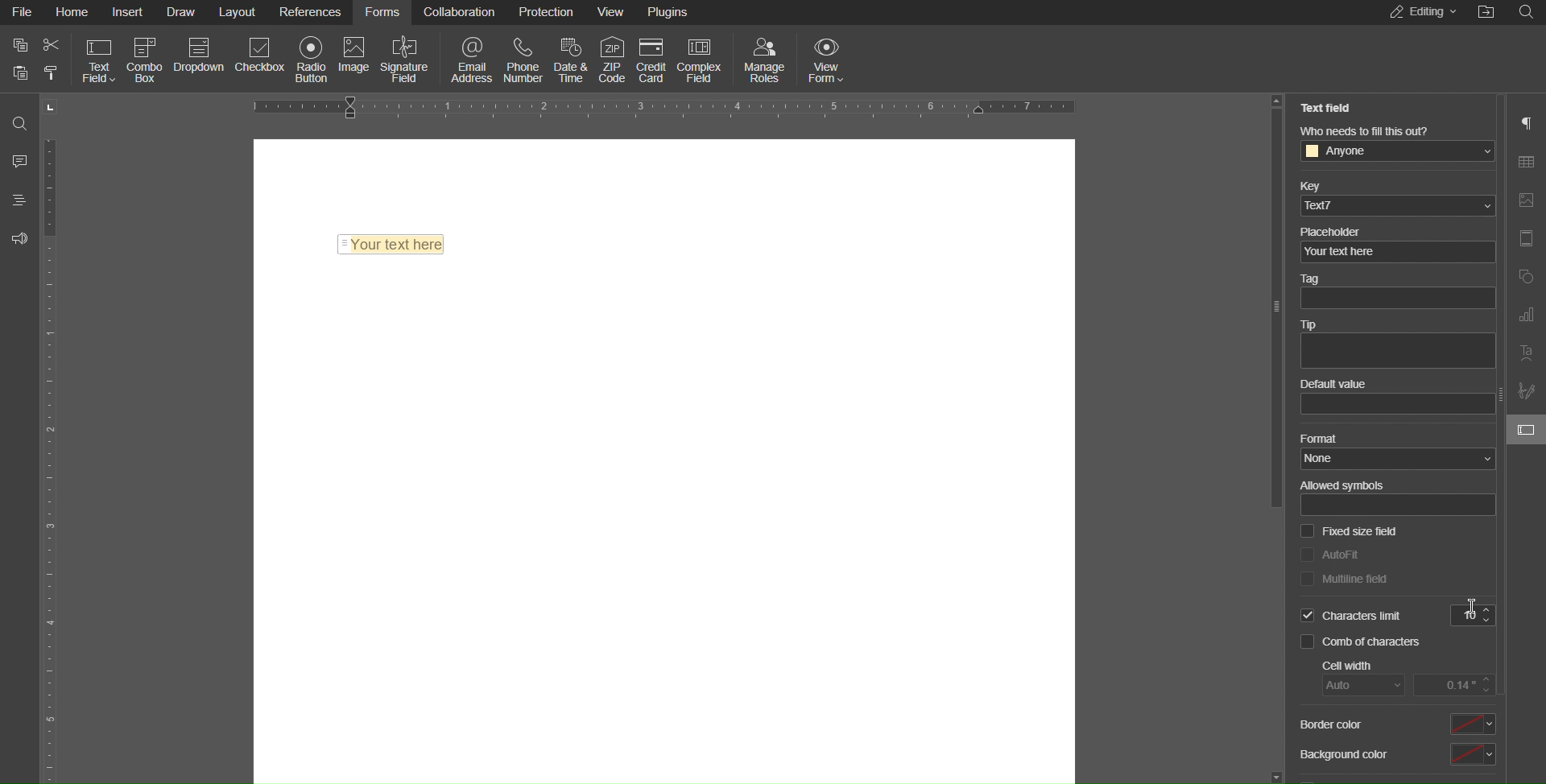  I want to click on paste, so click(21, 72).